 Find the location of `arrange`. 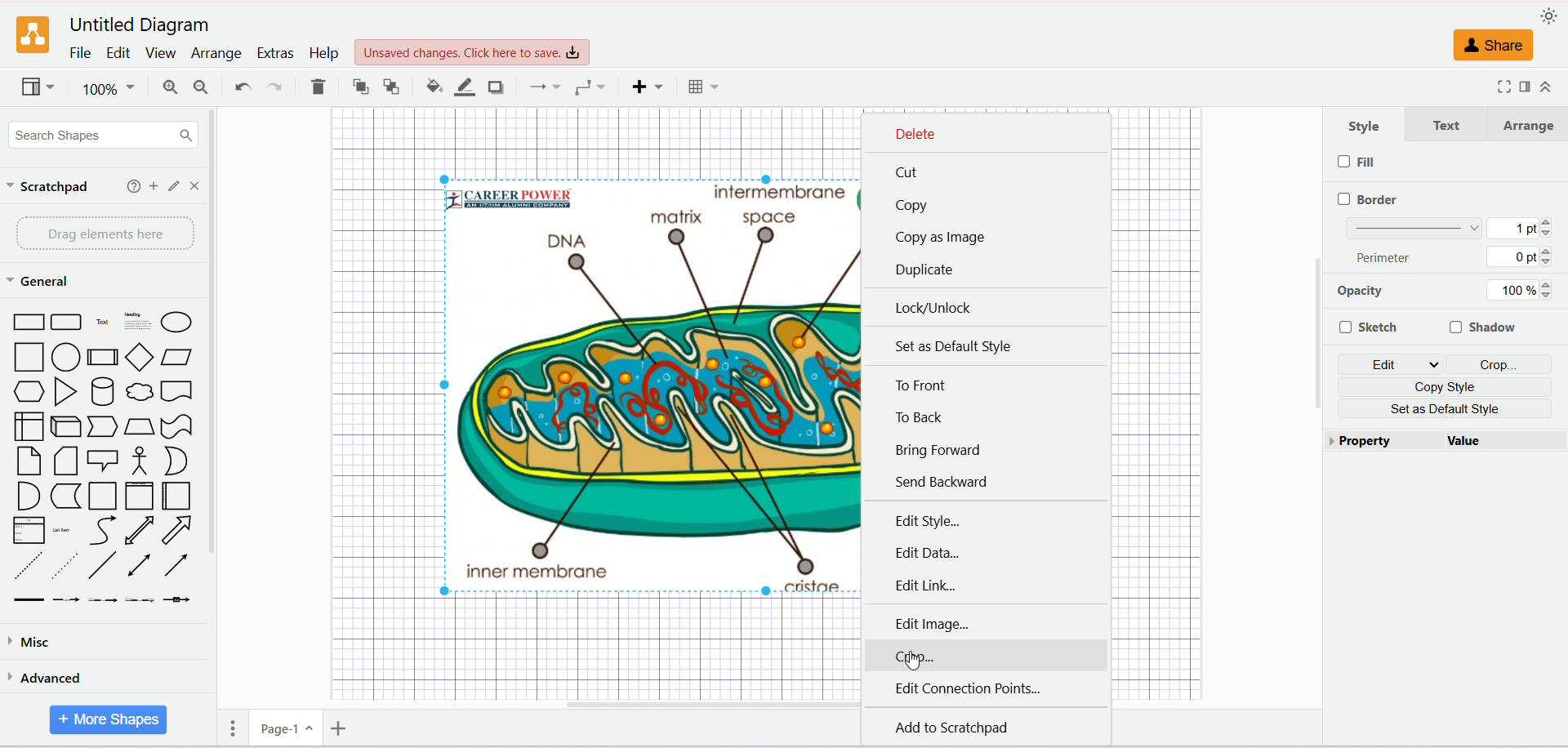

arrange is located at coordinates (1534, 122).